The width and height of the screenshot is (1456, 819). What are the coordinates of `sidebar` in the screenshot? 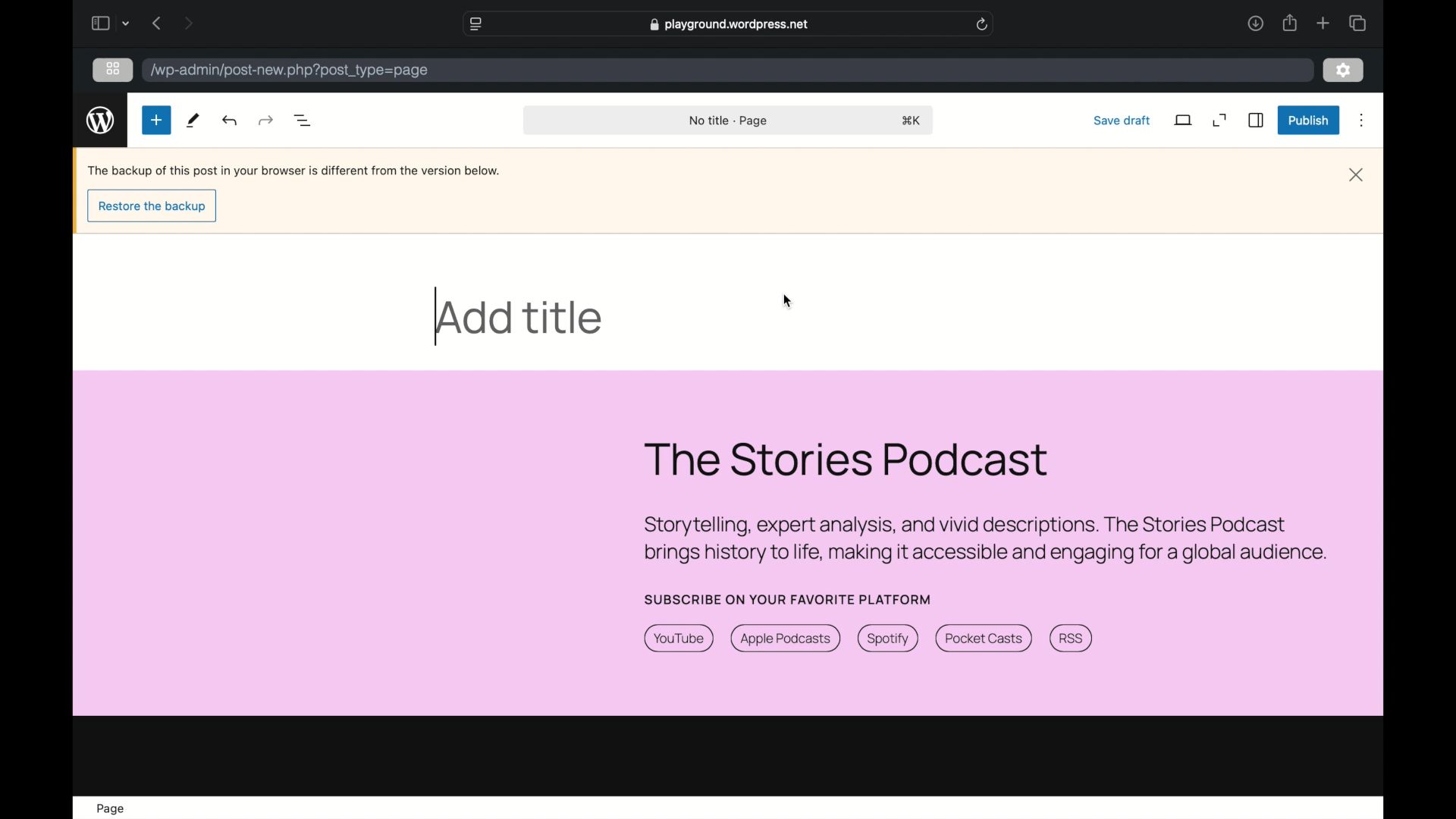 It's located at (1257, 120).